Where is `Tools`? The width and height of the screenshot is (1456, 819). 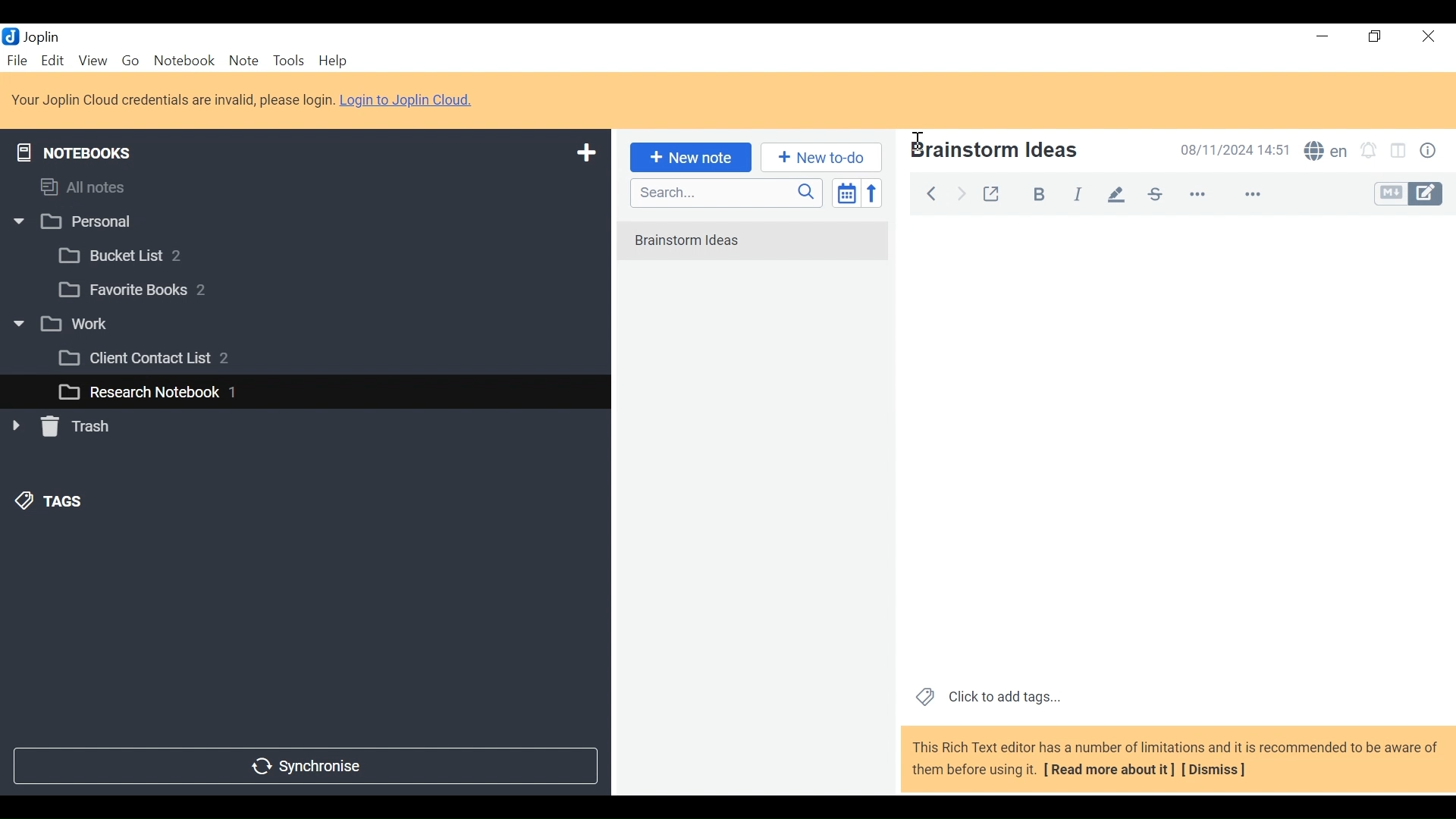
Tools is located at coordinates (287, 61).